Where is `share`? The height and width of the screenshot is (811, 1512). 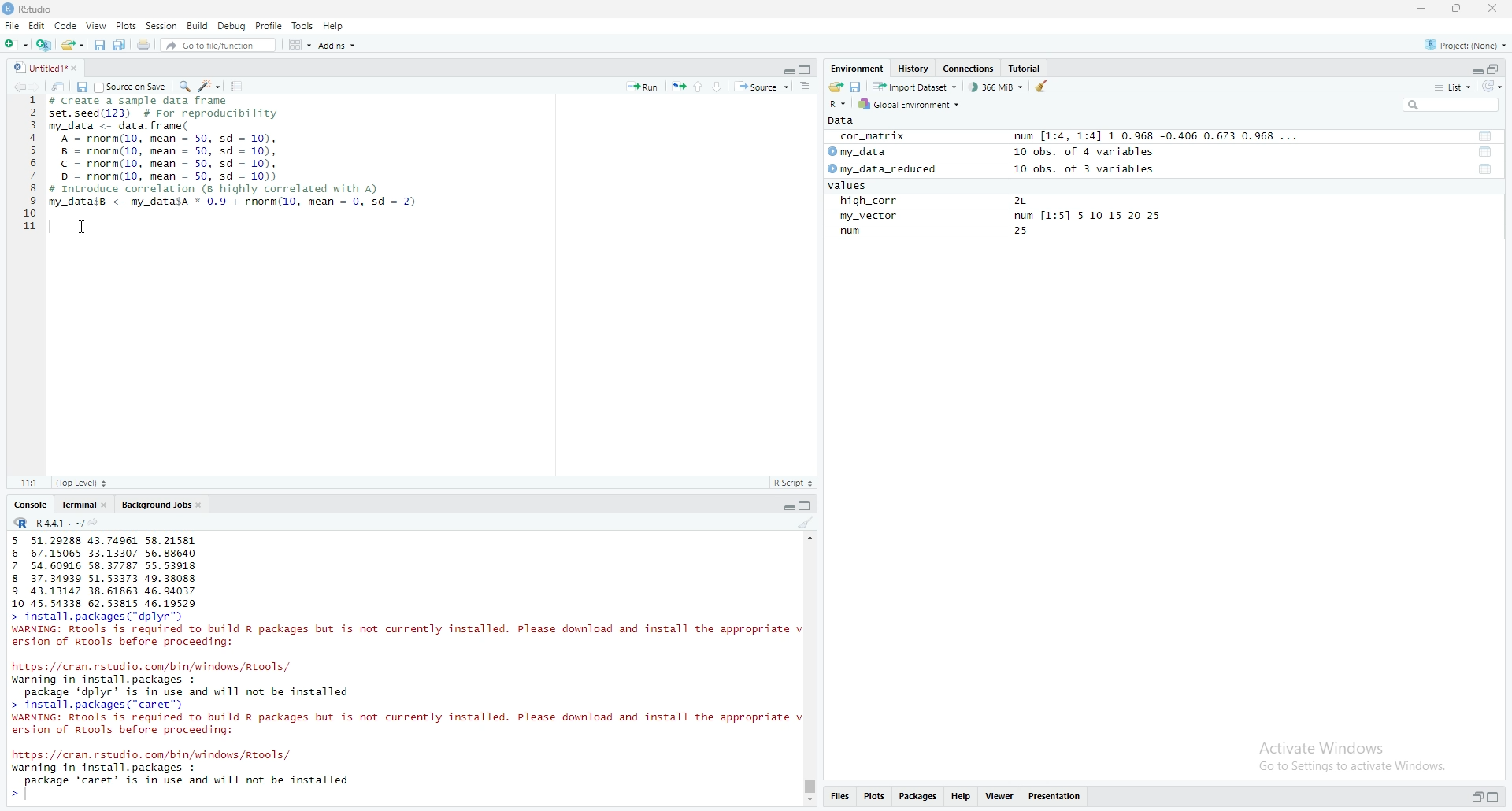
share is located at coordinates (94, 523).